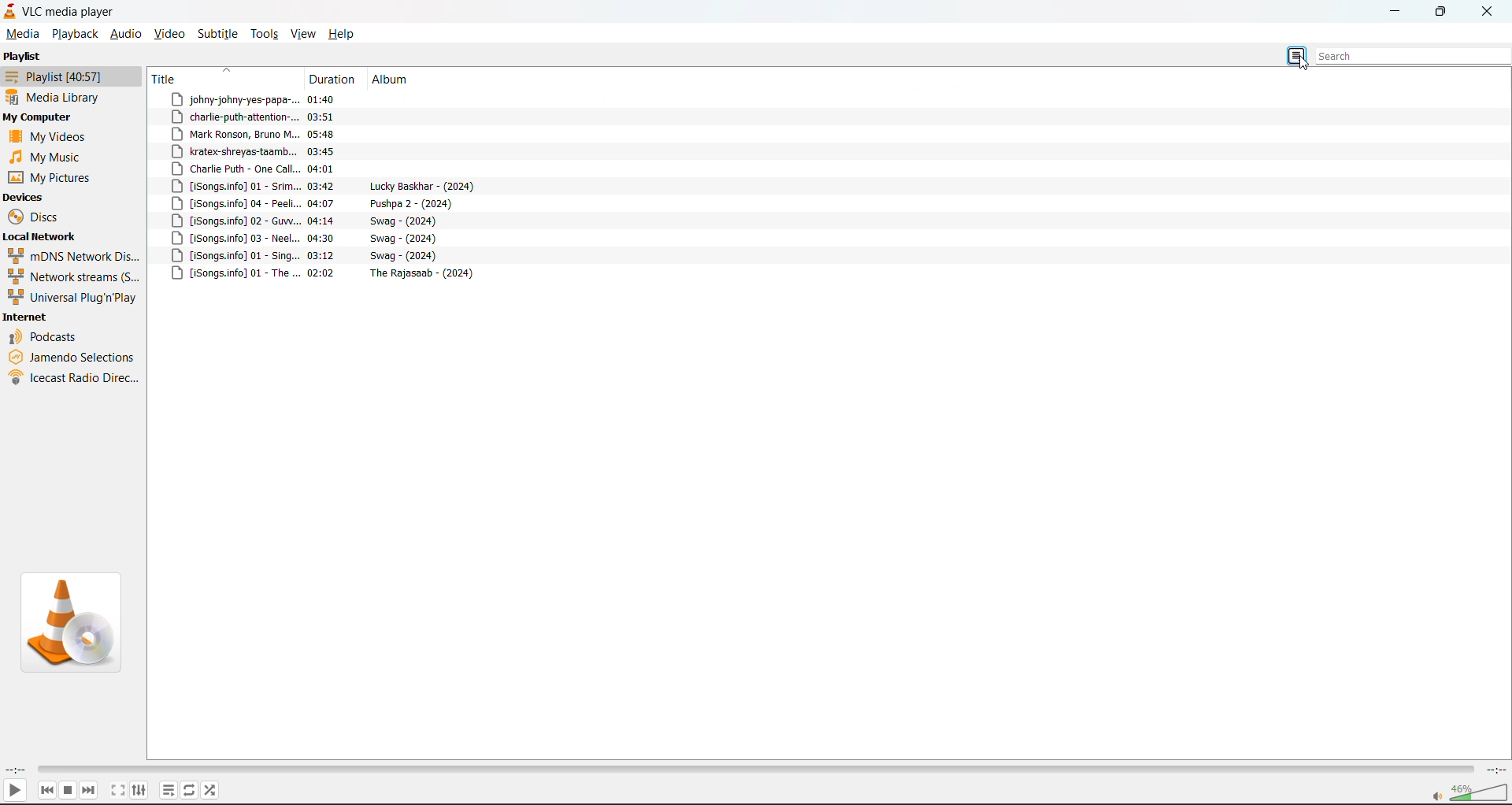 This screenshot has width=1512, height=805. What do you see at coordinates (124, 35) in the screenshot?
I see `audio` at bounding box center [124, 35].